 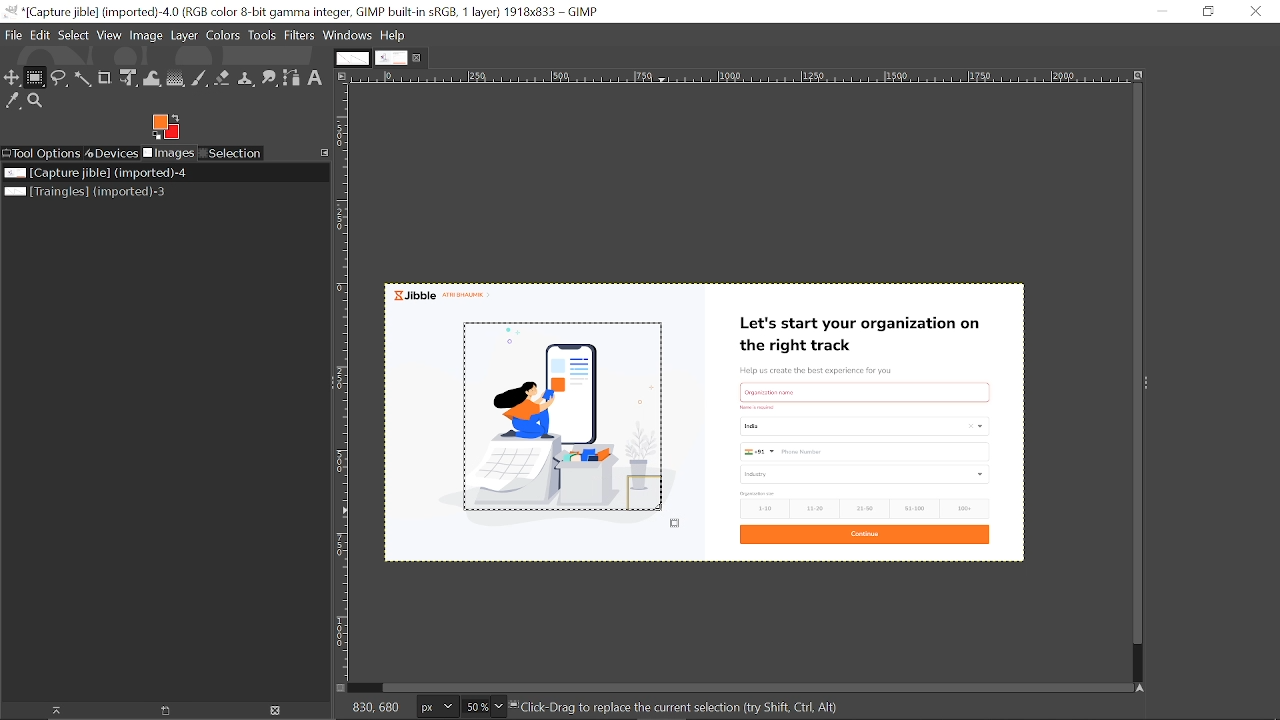 What do you see at coordinates (244, 78) in the screenshot?
I see `Clone tool` at bounding box center [244, 78].